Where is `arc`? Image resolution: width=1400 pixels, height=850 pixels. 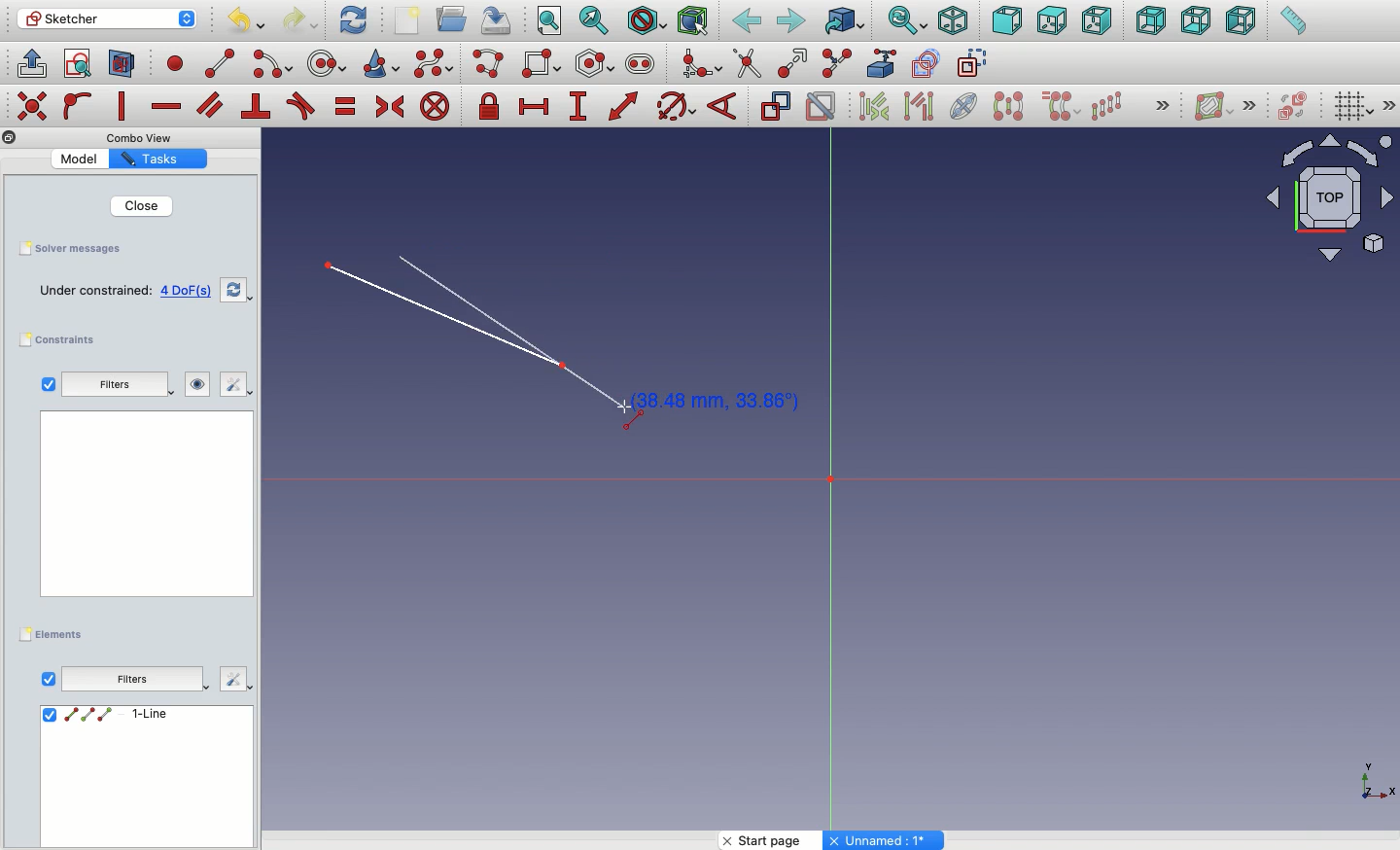 arc is located at coordinates (273, 64).